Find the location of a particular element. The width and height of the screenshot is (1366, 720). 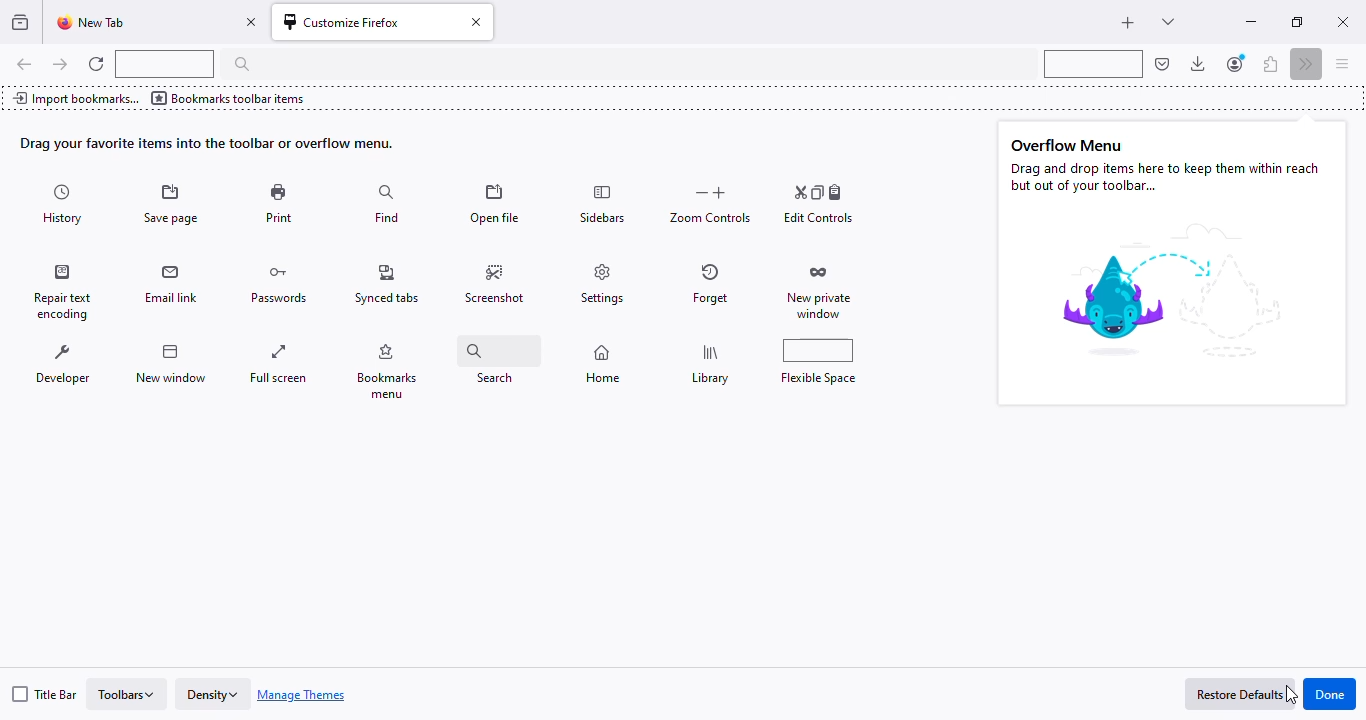

customize firefox is located at coordinates (344, 22).